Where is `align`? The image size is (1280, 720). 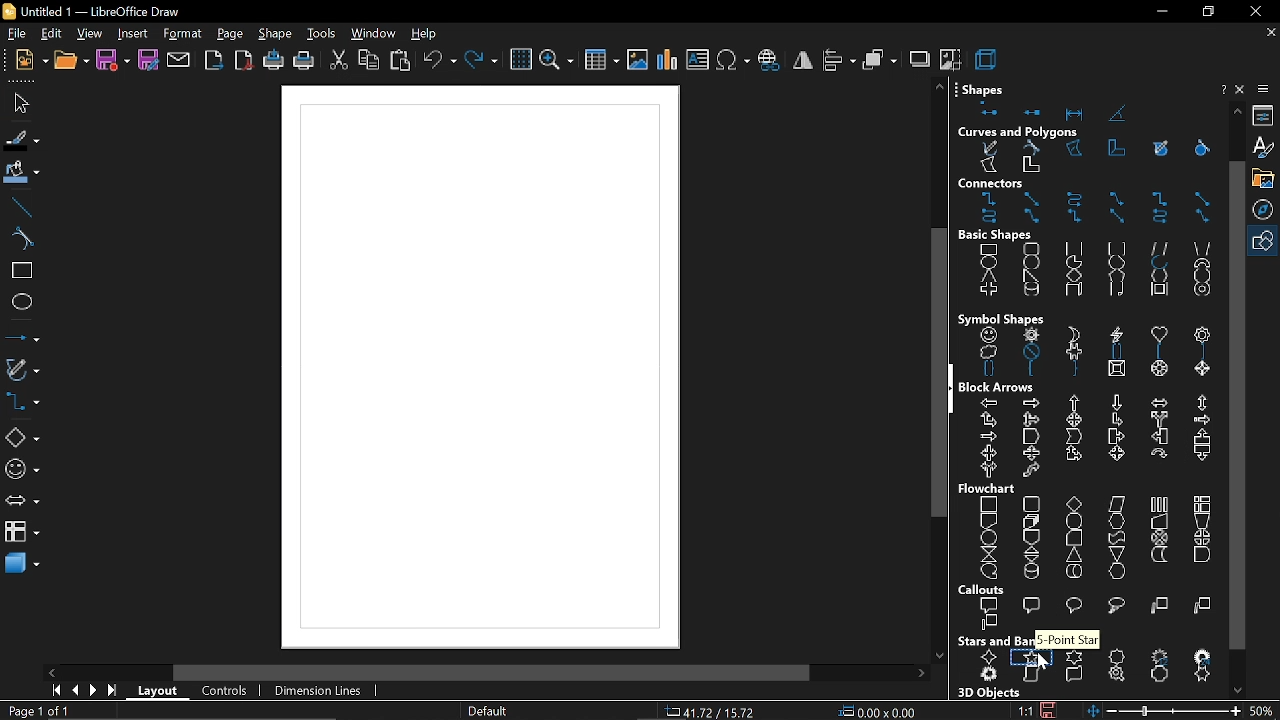 align is located at coordinates (839, 61).